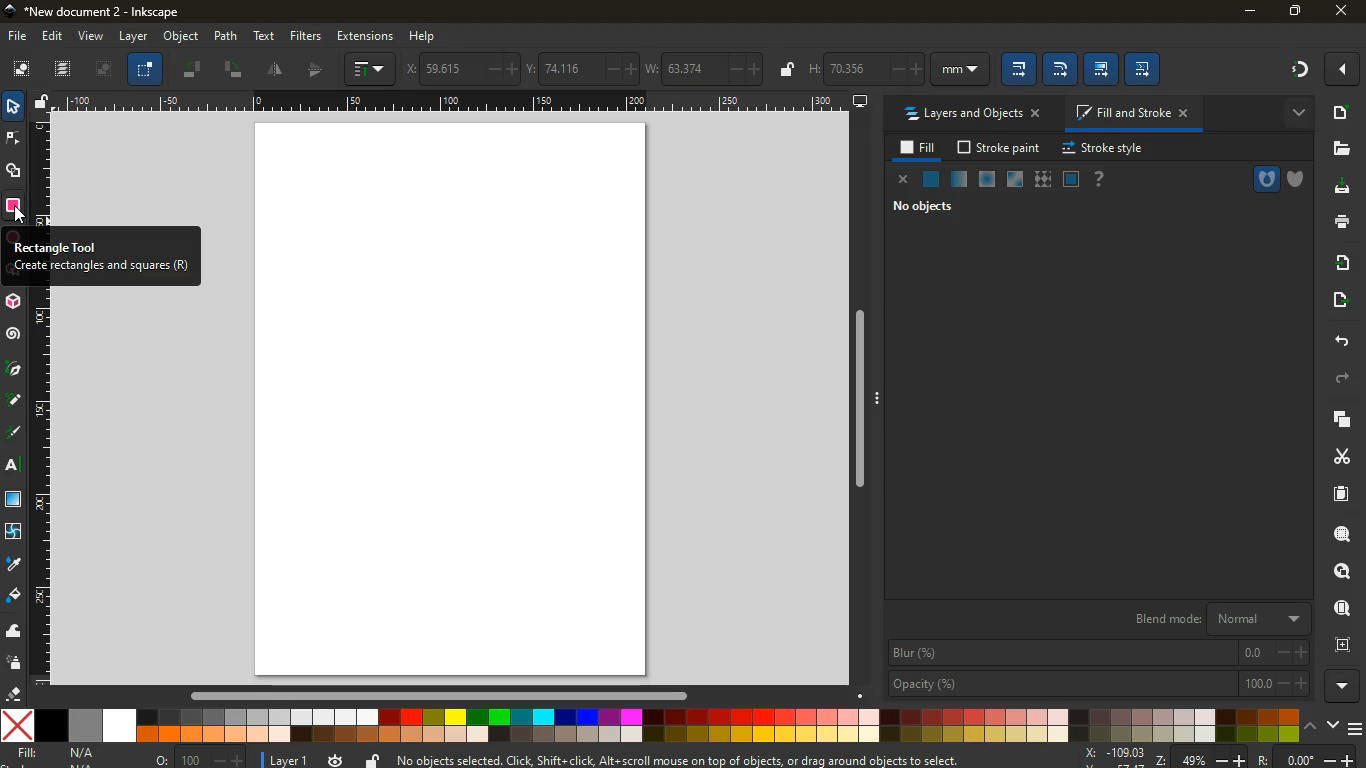 This screenshot has width=1366, height=768. I want to click on more, so click(1345, 684).